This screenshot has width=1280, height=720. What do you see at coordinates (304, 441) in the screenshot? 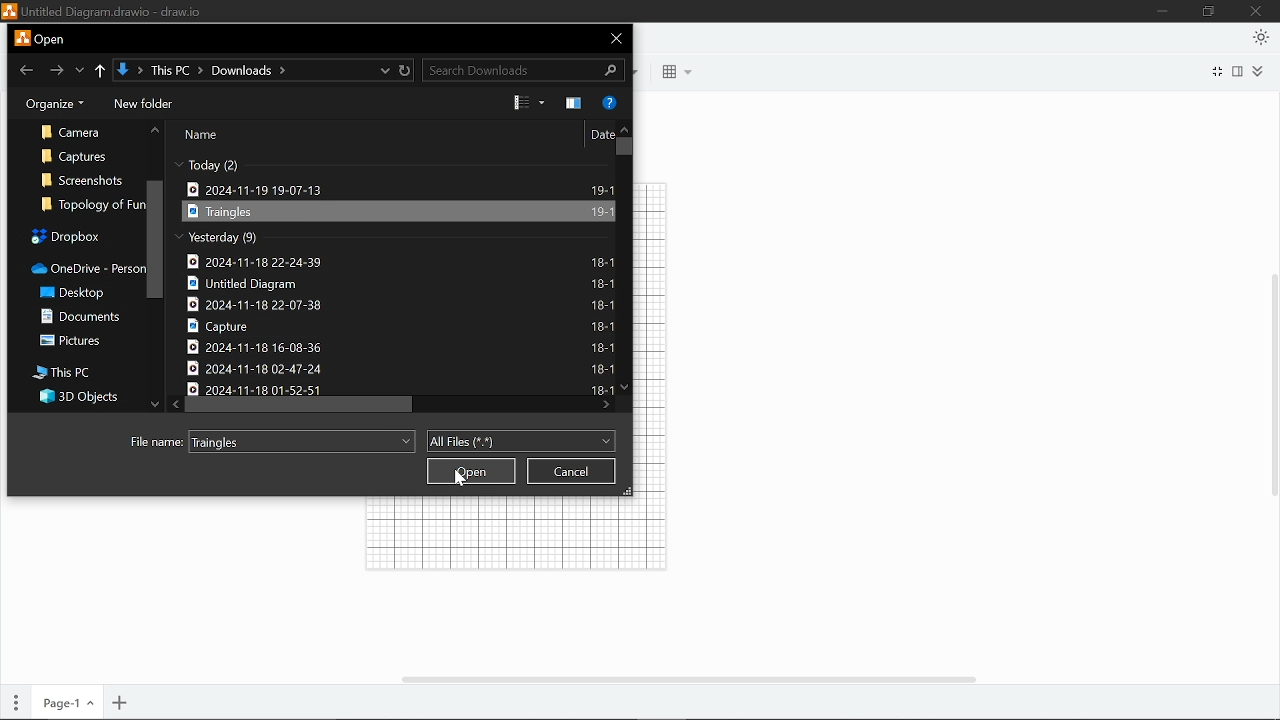
I see `Traingles` at bounding box center [304, 441].